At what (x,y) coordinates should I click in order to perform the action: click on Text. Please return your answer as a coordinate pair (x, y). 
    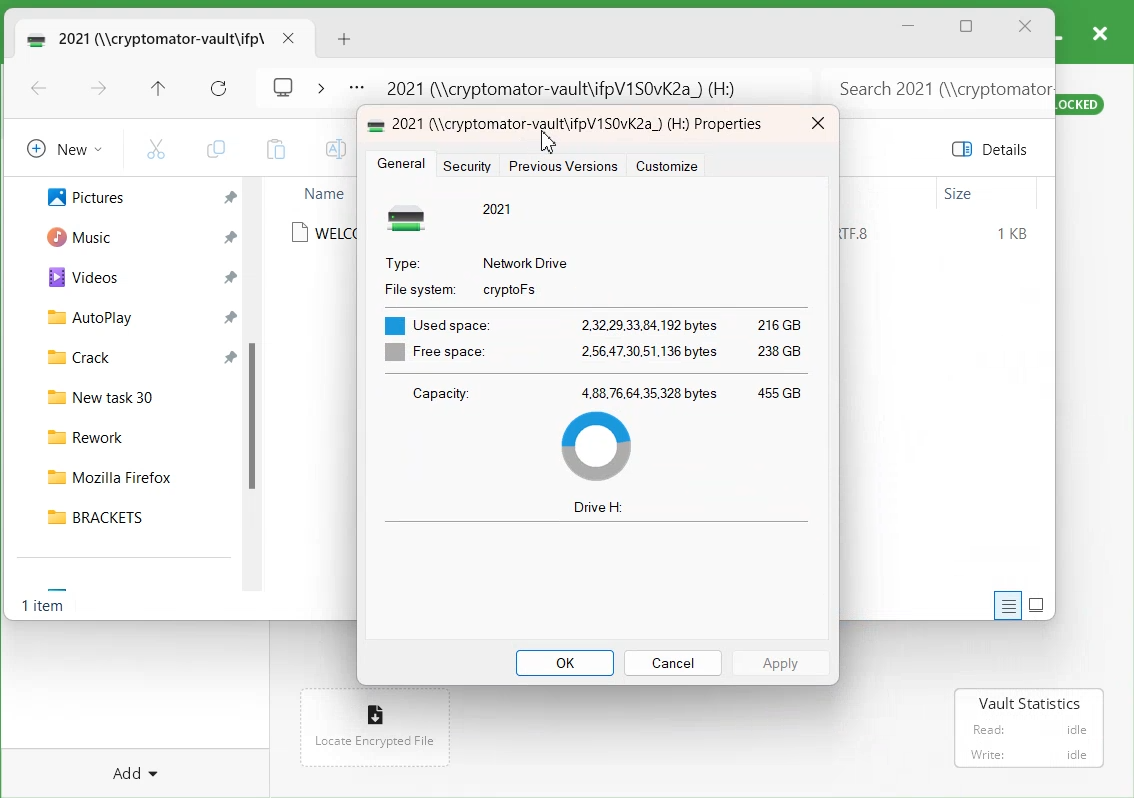
    Looking at the image, I should click on (46, 608).